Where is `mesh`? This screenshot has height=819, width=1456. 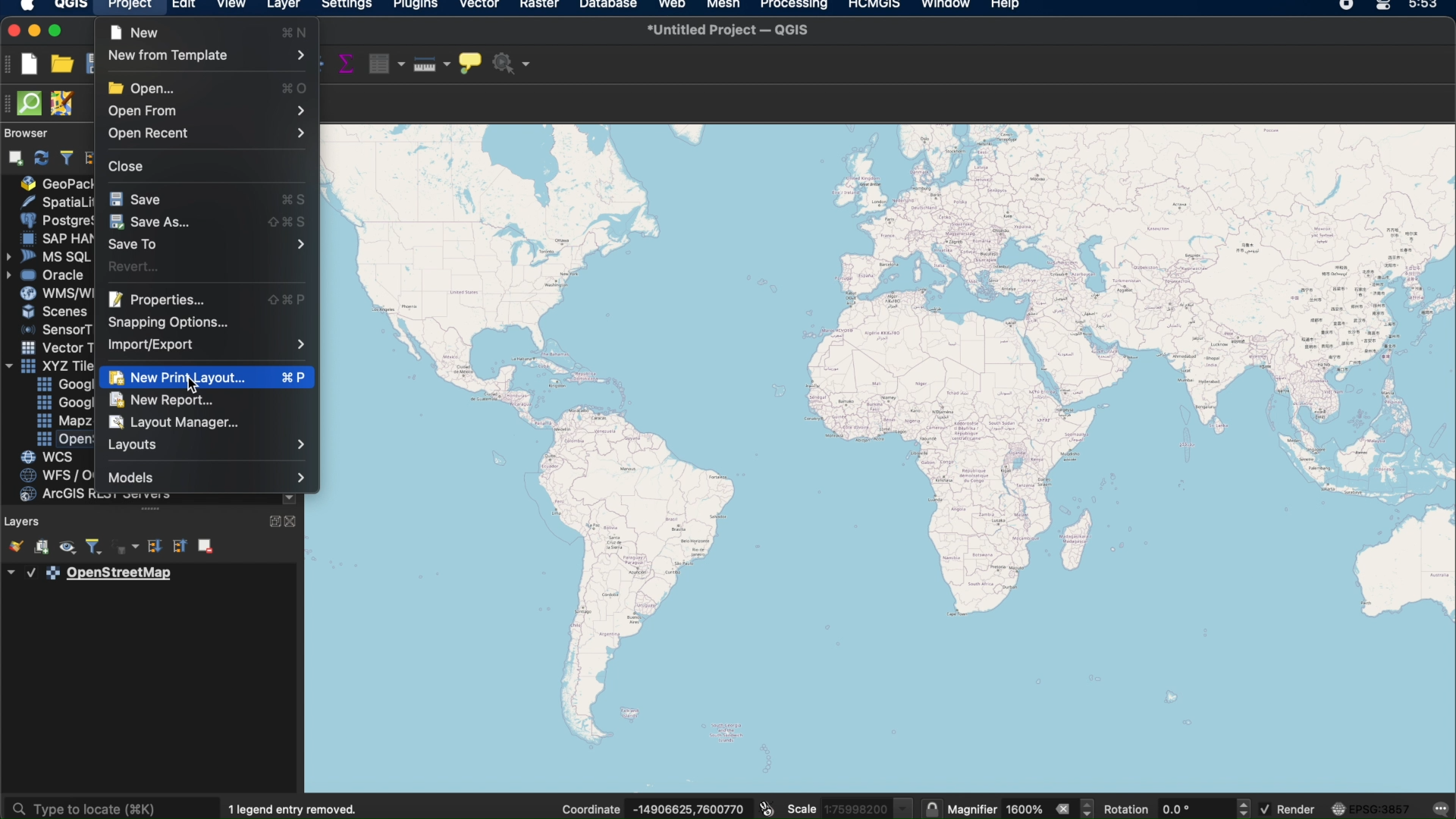
mesh is located at coordinates (726, 6).